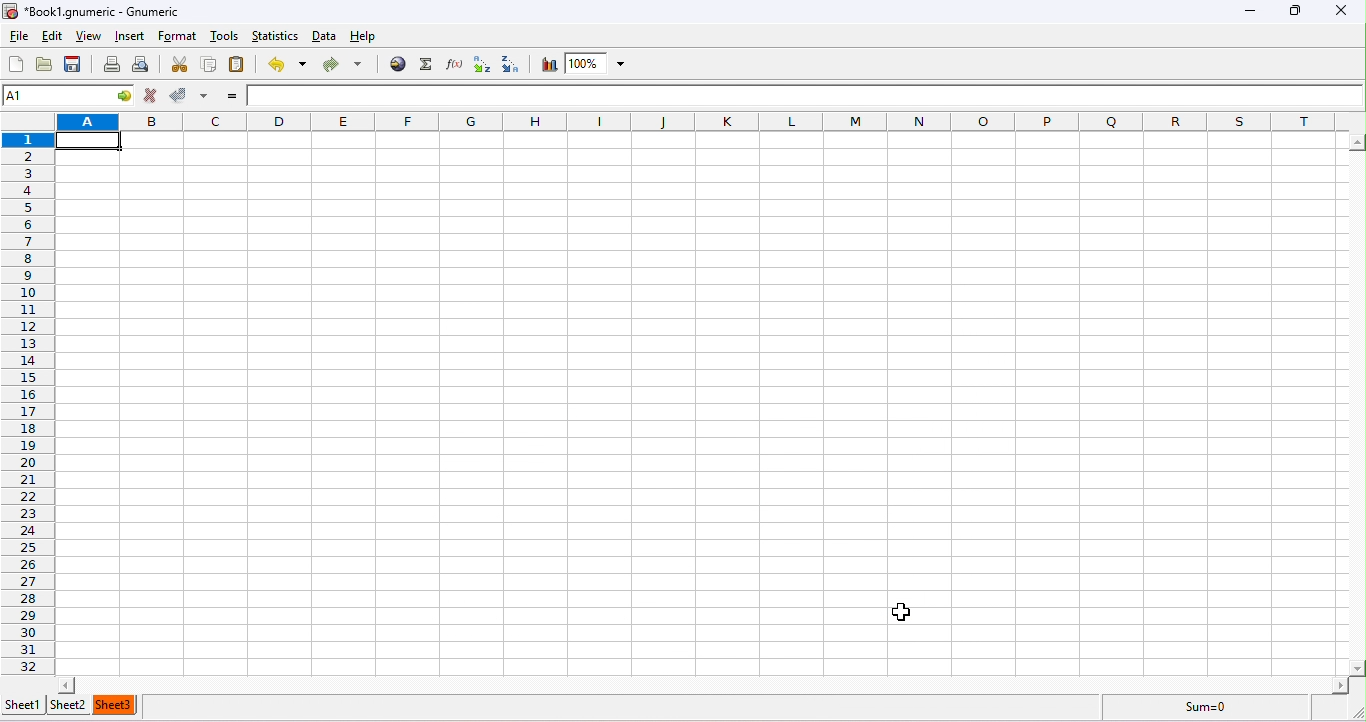 This screenshot has height=722, width=1366. Describe the element at coordinates (602, 64) in the screenshot. I see `zoom` at that location.